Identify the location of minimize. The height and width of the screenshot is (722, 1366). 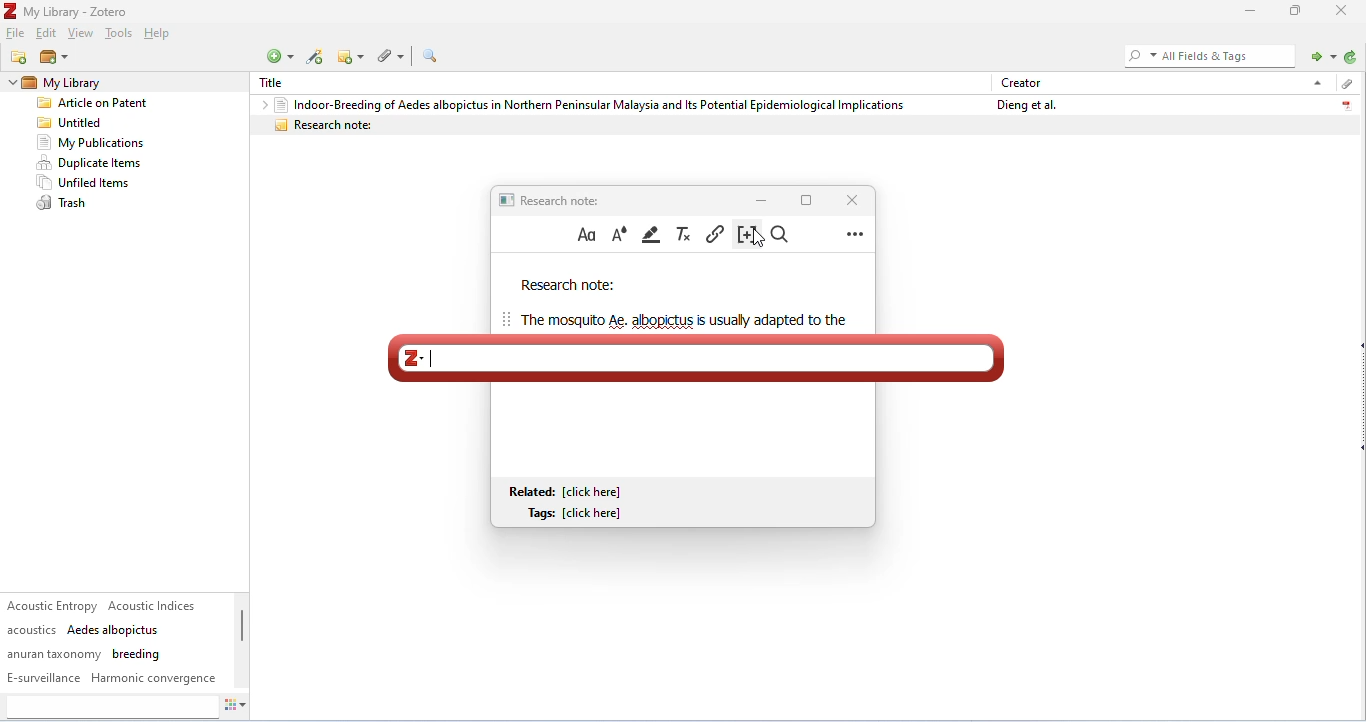
(1247, 11).